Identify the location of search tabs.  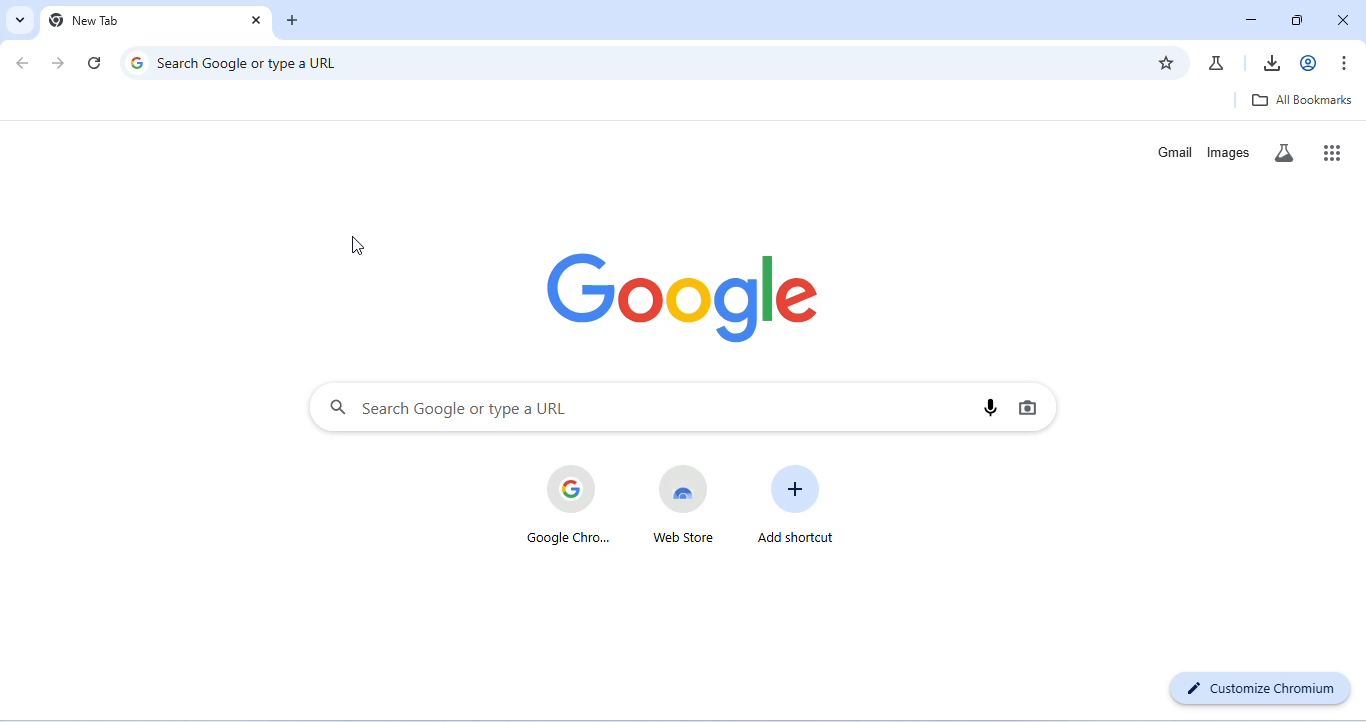
(18, 20).